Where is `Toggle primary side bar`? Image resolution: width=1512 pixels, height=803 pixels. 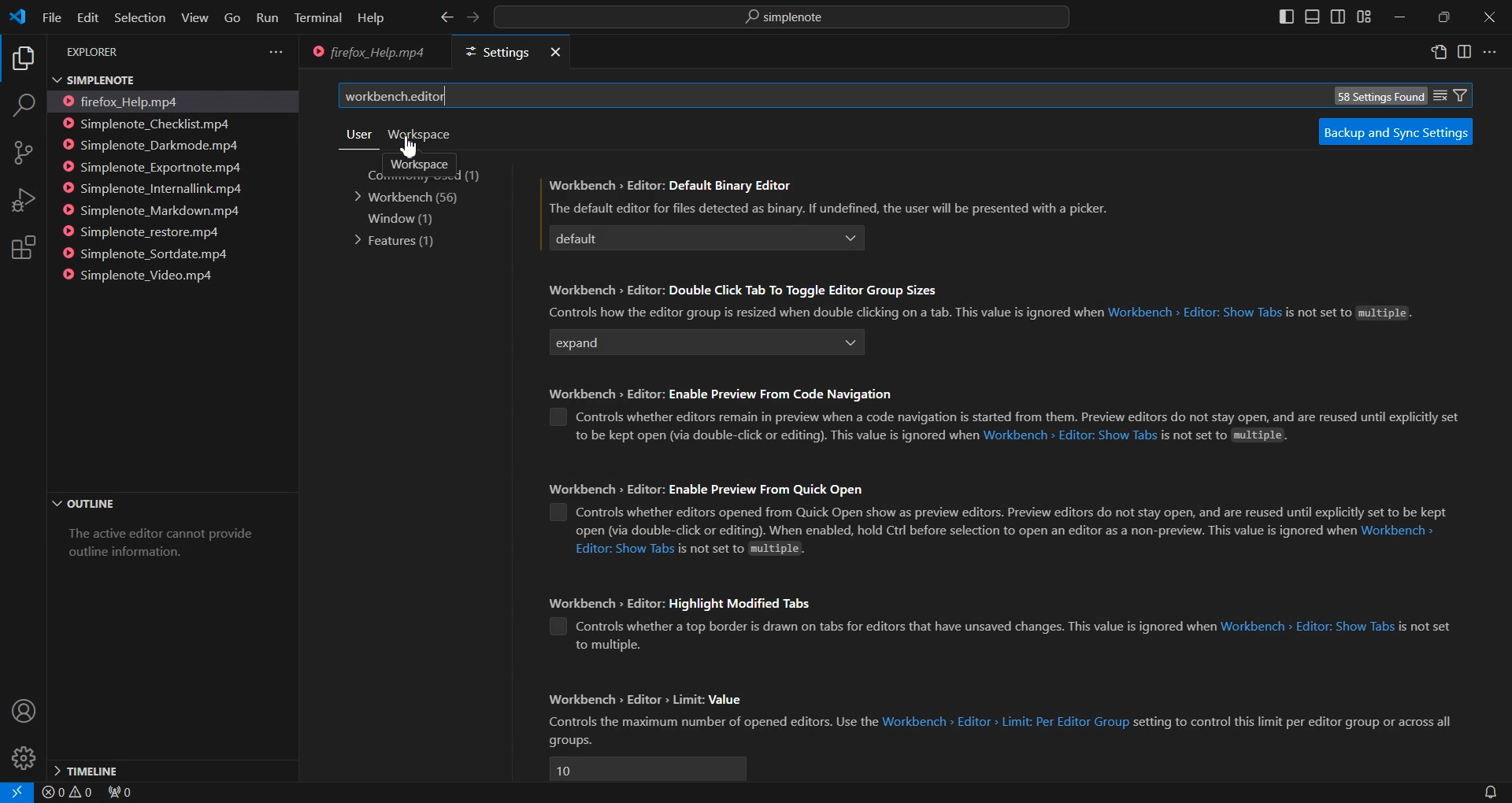
Toggle primary side bar is located at coordinates (1288, 17).